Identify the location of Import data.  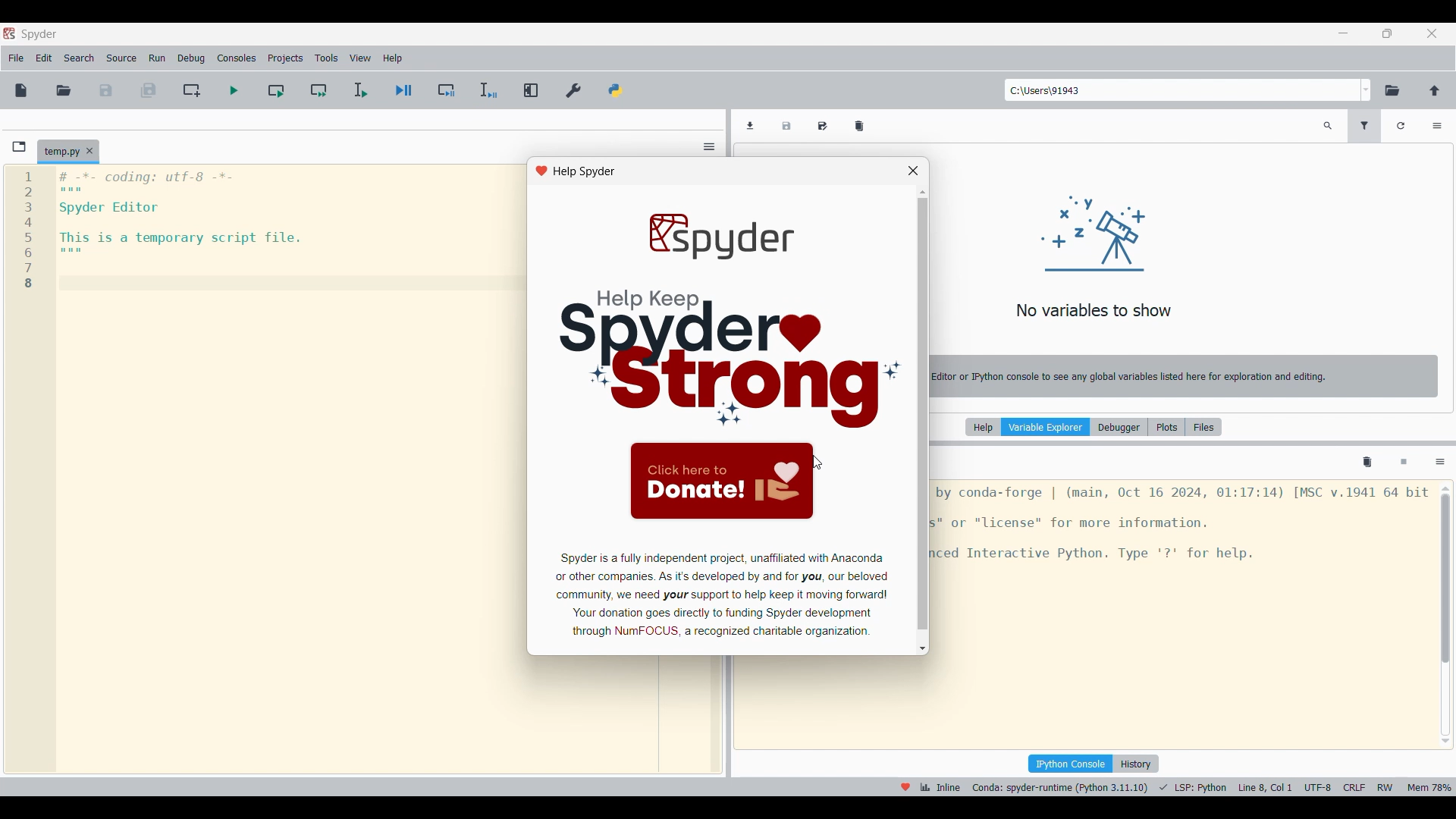
(751, 126).